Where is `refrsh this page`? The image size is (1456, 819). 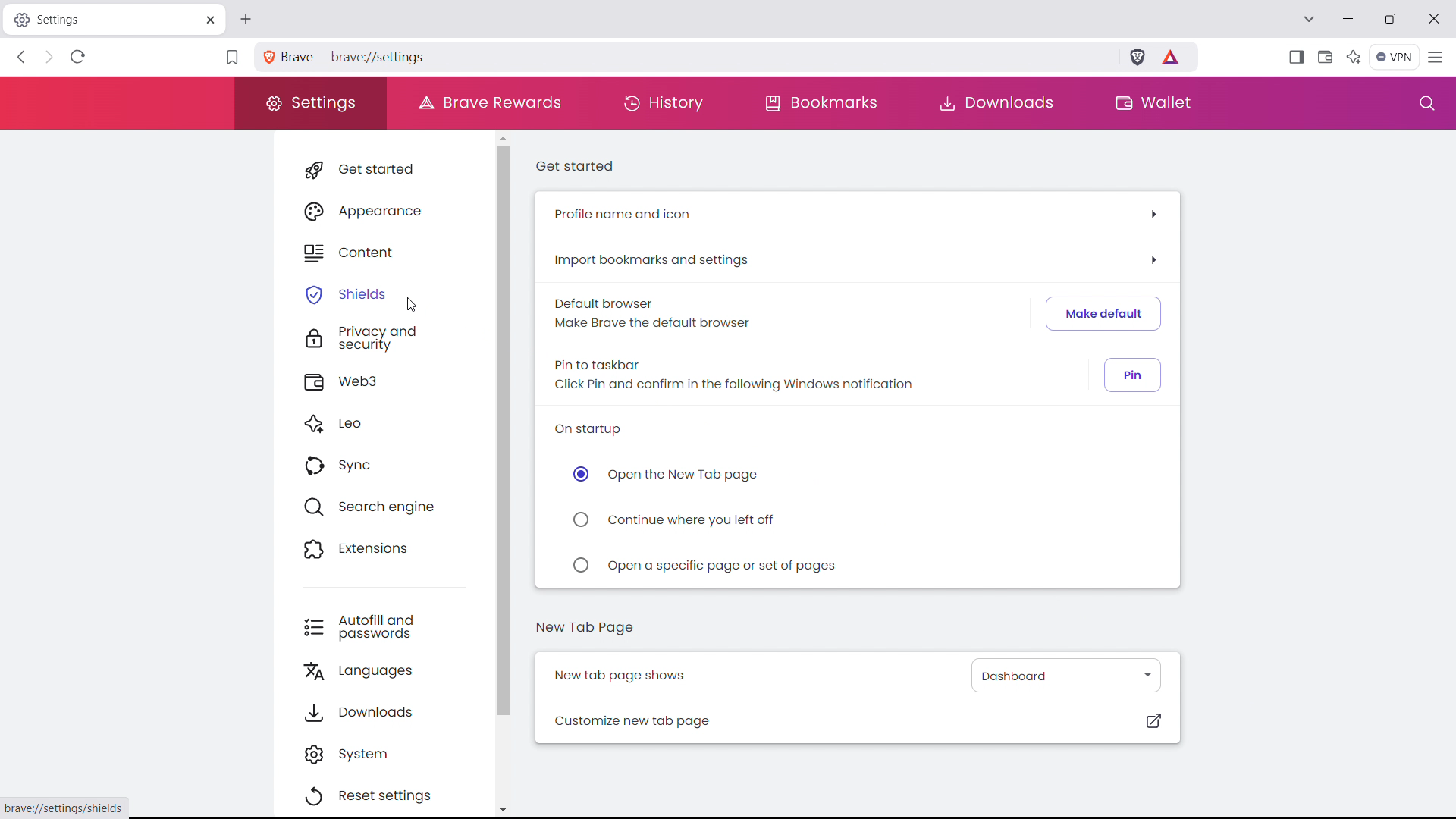
refrsh this page is located at coordinates (77, 57).